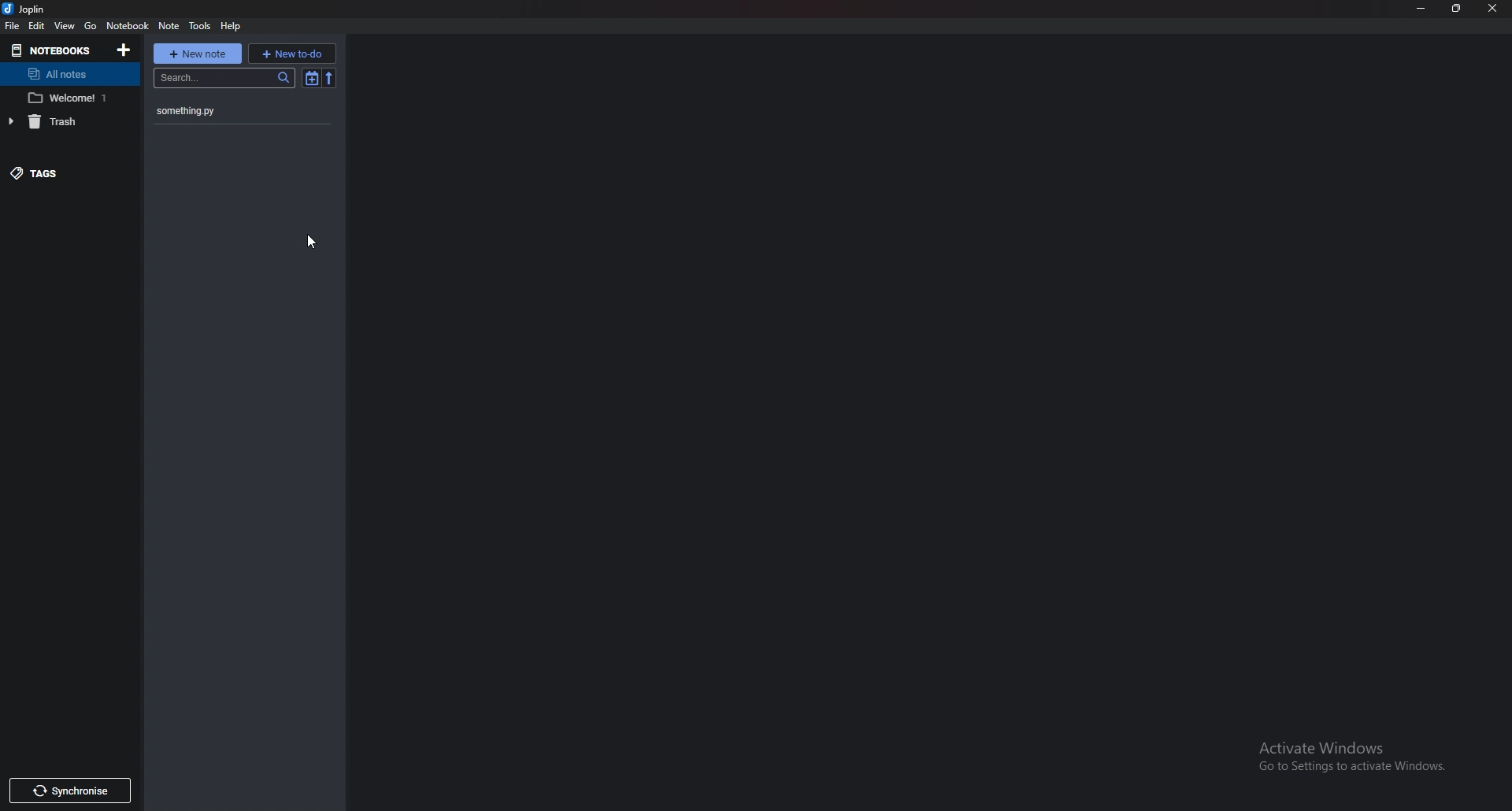 The height and width of the screenshot is (811, 1512). Describe the element at coordinates (69, 791) in the screenshot. I see `Synchronize` at that location.